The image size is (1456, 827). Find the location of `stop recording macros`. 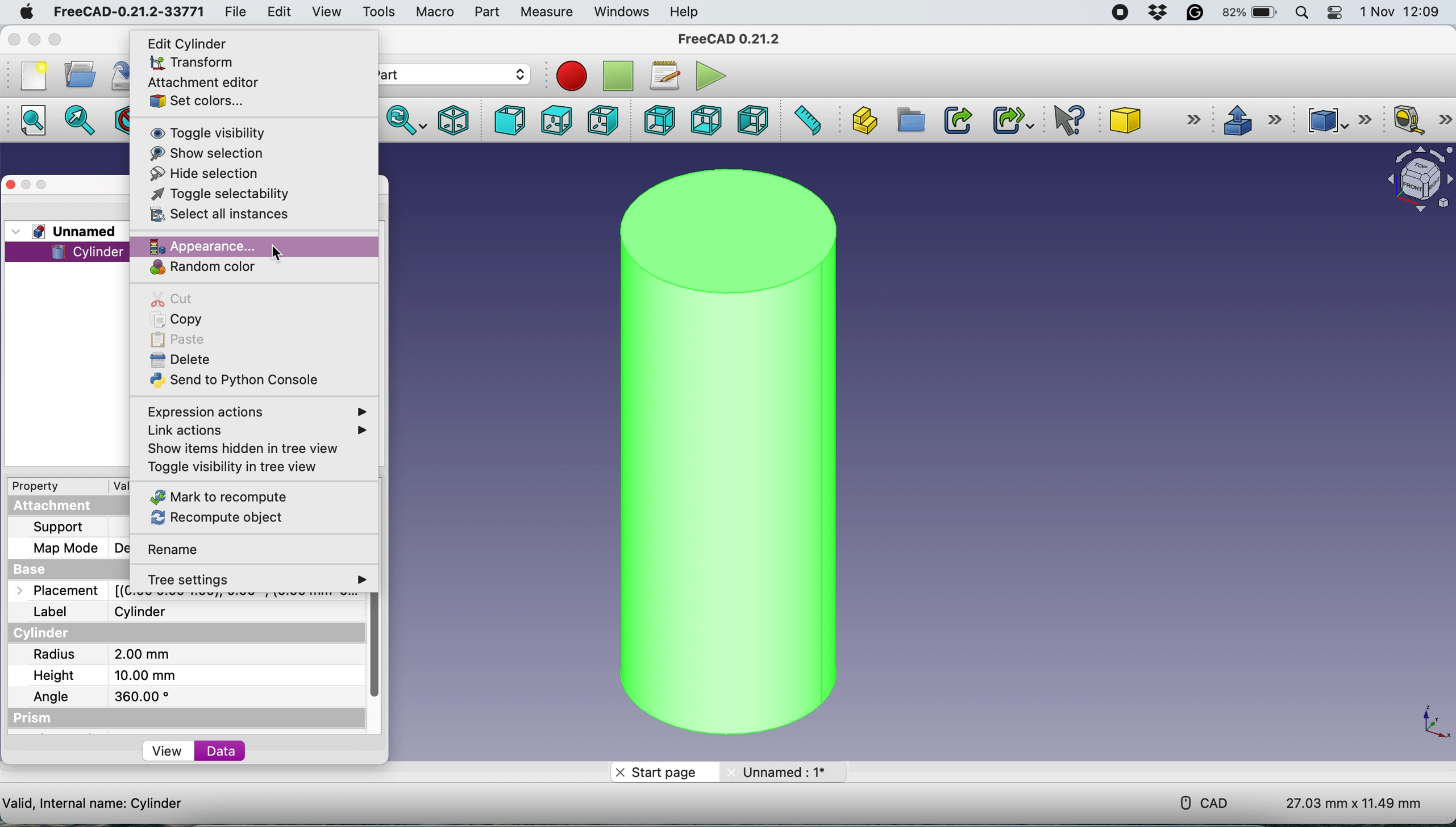

stop recording macros is located at coordinates (617, 76).